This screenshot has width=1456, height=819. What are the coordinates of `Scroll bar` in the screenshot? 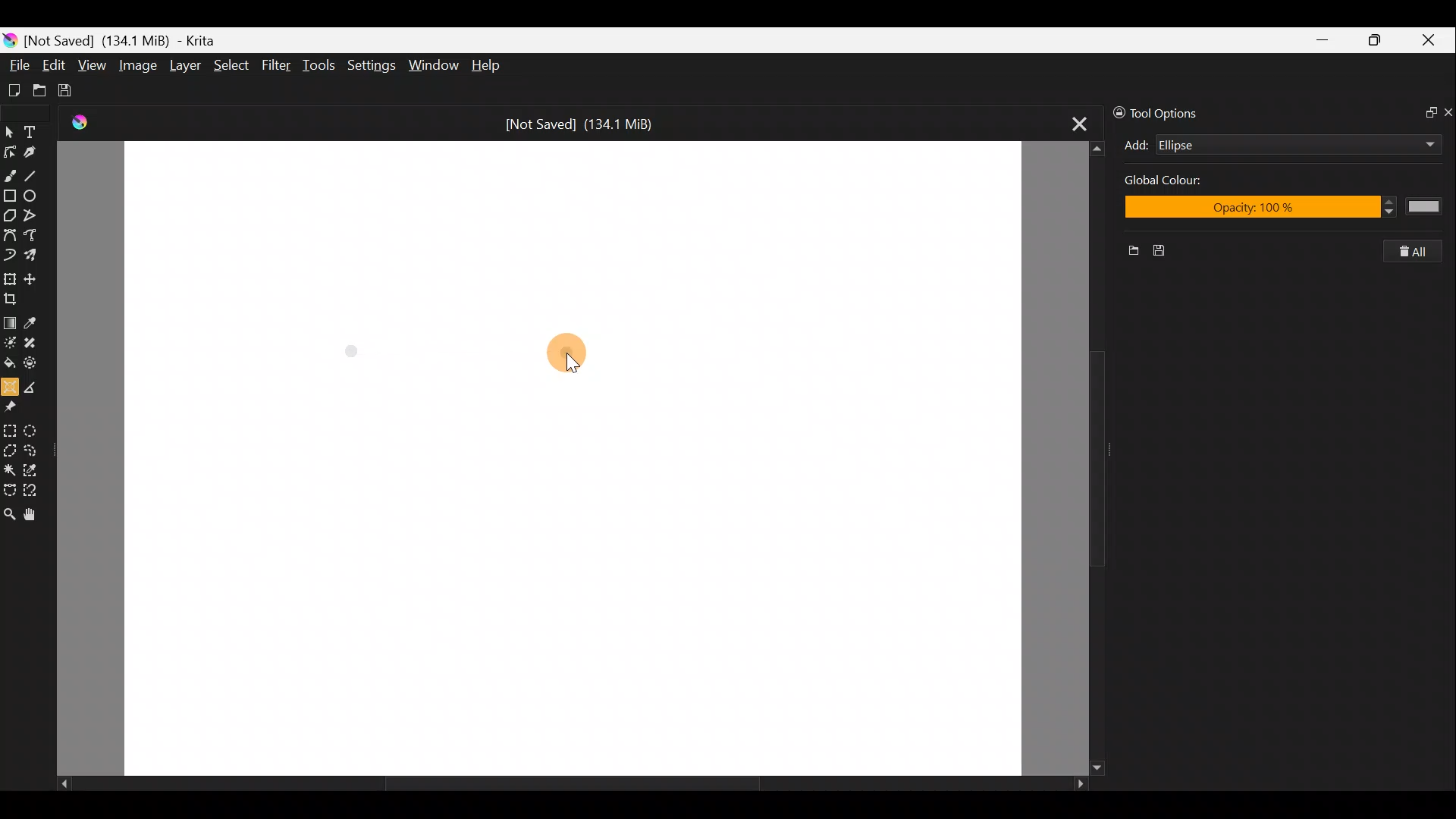 It's located at (1078, 457).